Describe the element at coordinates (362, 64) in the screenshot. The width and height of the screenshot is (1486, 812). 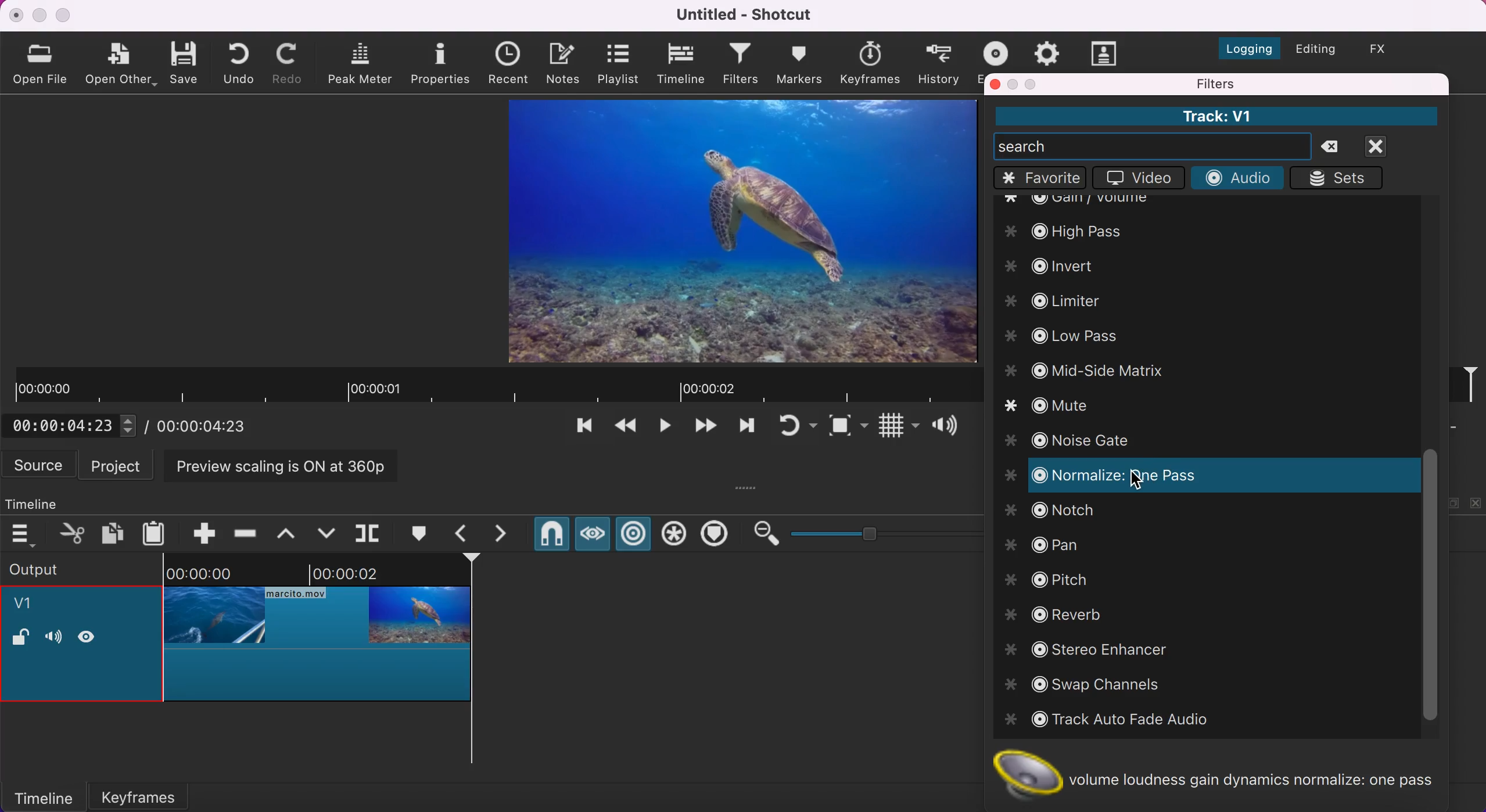
I see `peak meter` at that location.